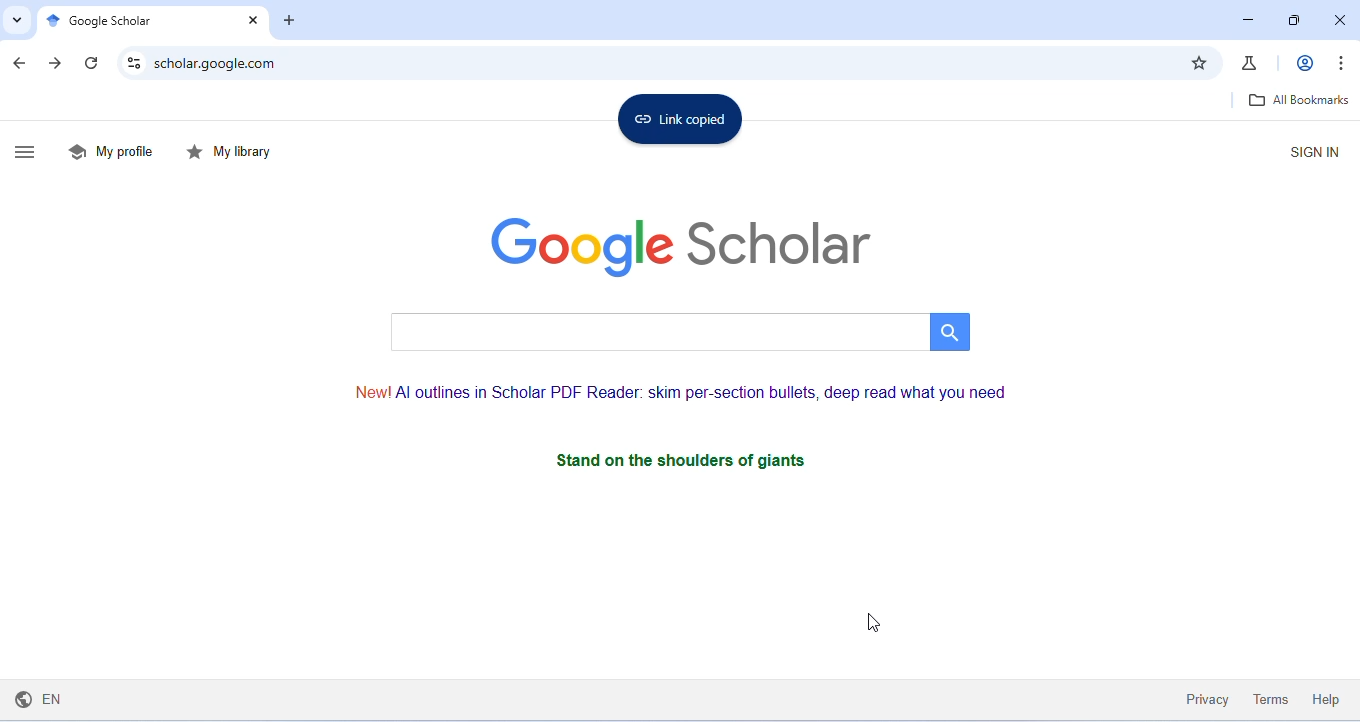  Describe the element at coordinates (682, 242) in the screenshot. I see `google scholar logo` at that location.